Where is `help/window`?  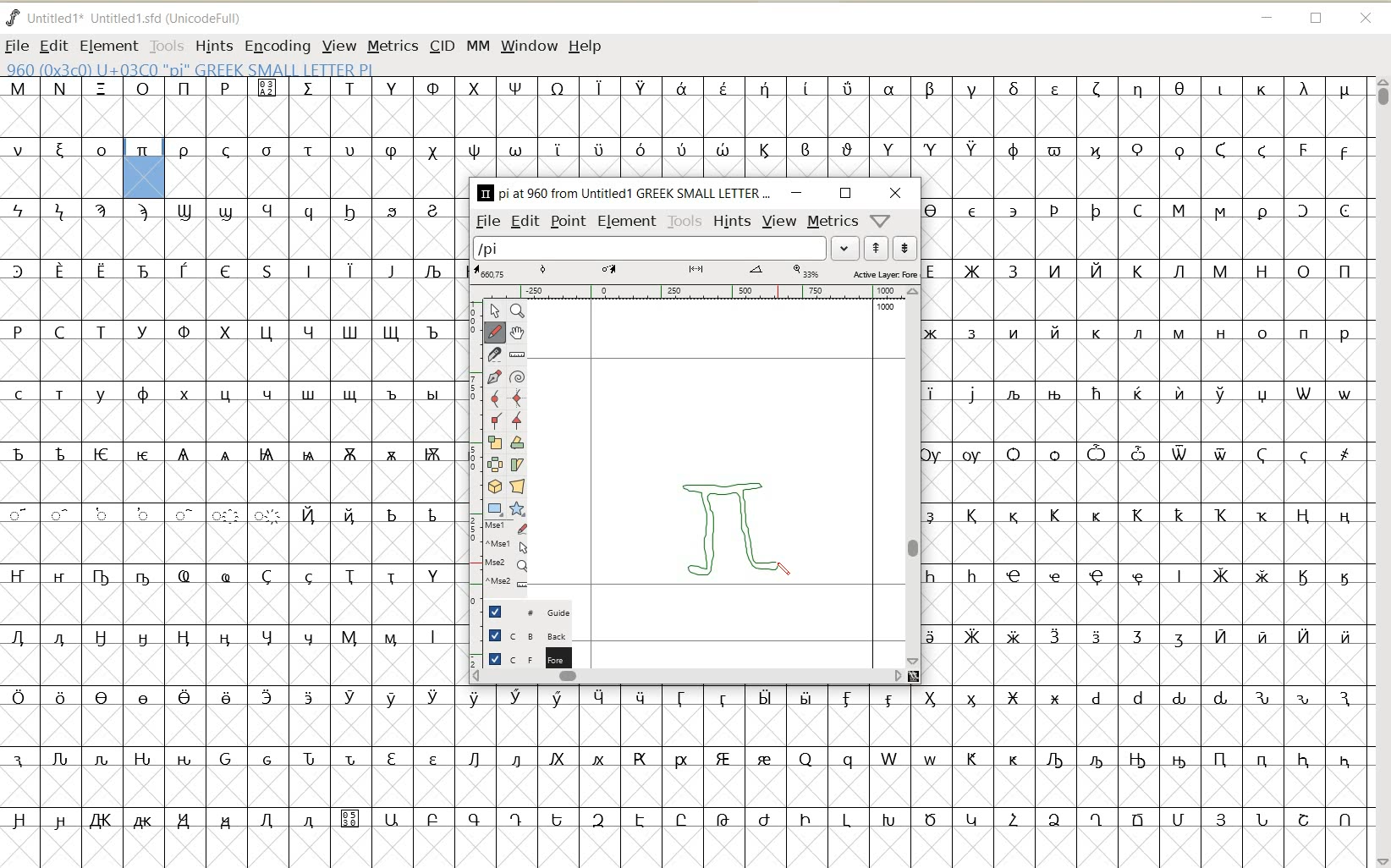 help/window is located at coordinates (881, 221).